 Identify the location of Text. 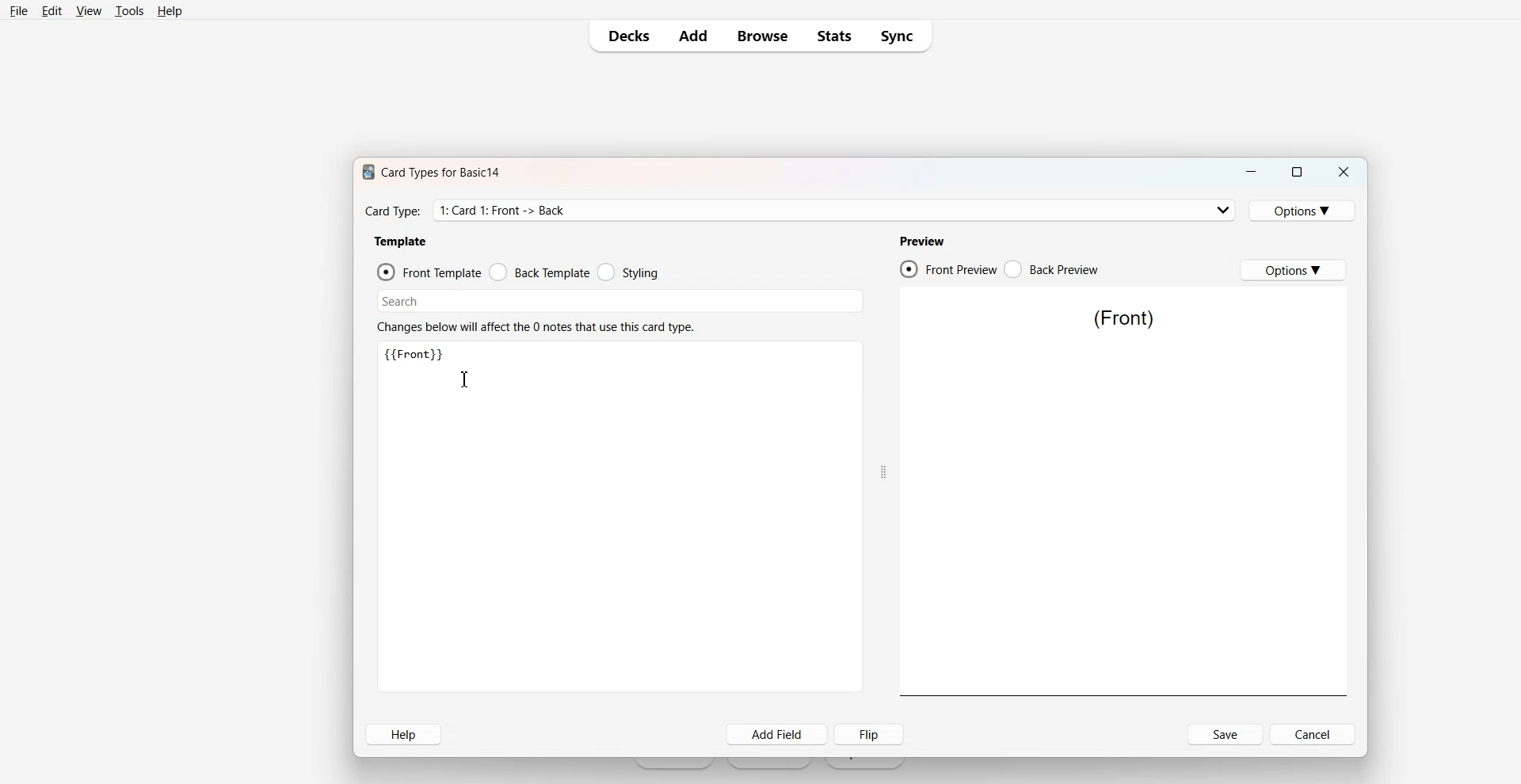
(1126, 318).